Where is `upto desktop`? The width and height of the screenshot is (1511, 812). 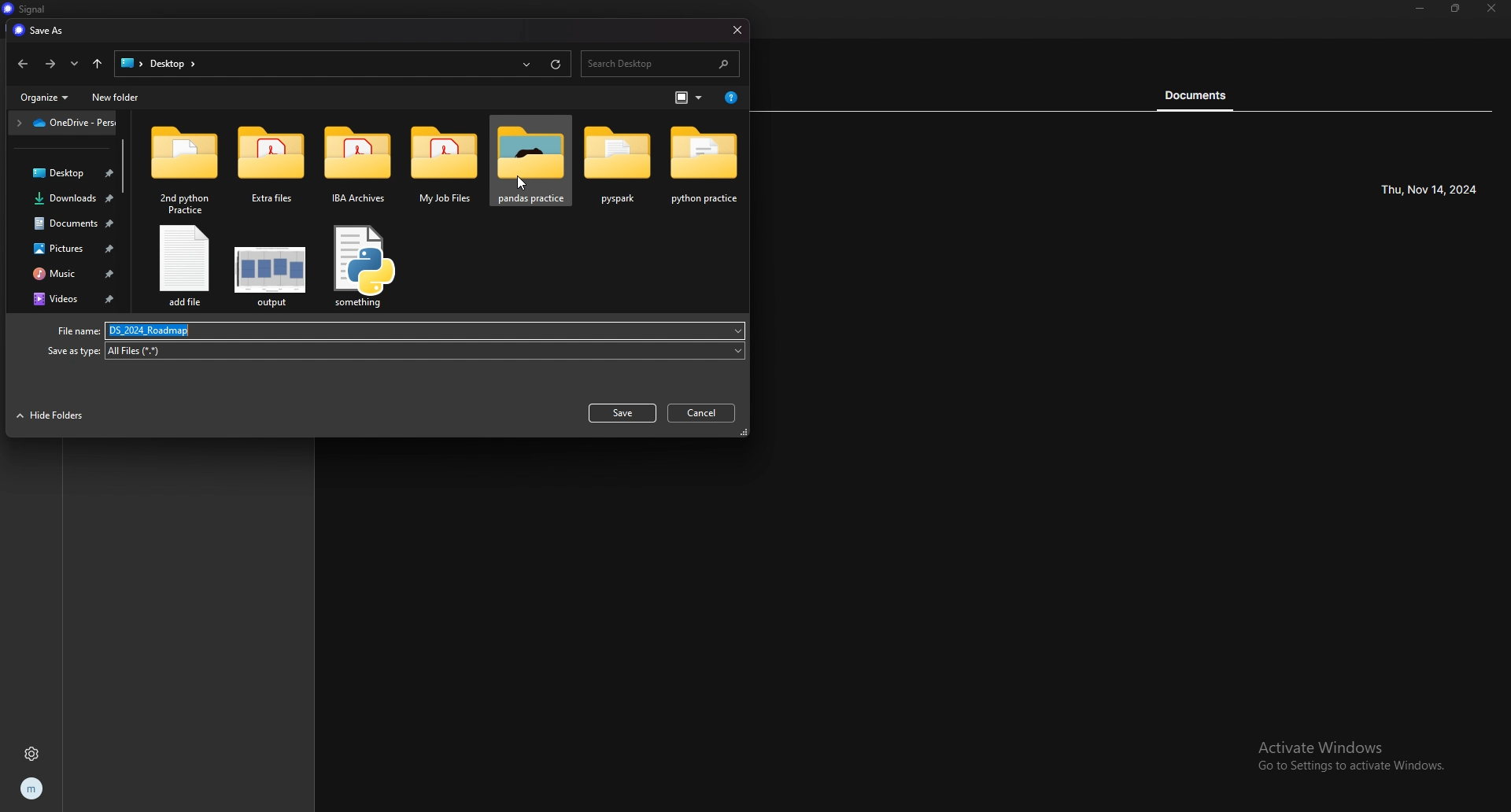 upto desktop is located at coordinates (98, 63).